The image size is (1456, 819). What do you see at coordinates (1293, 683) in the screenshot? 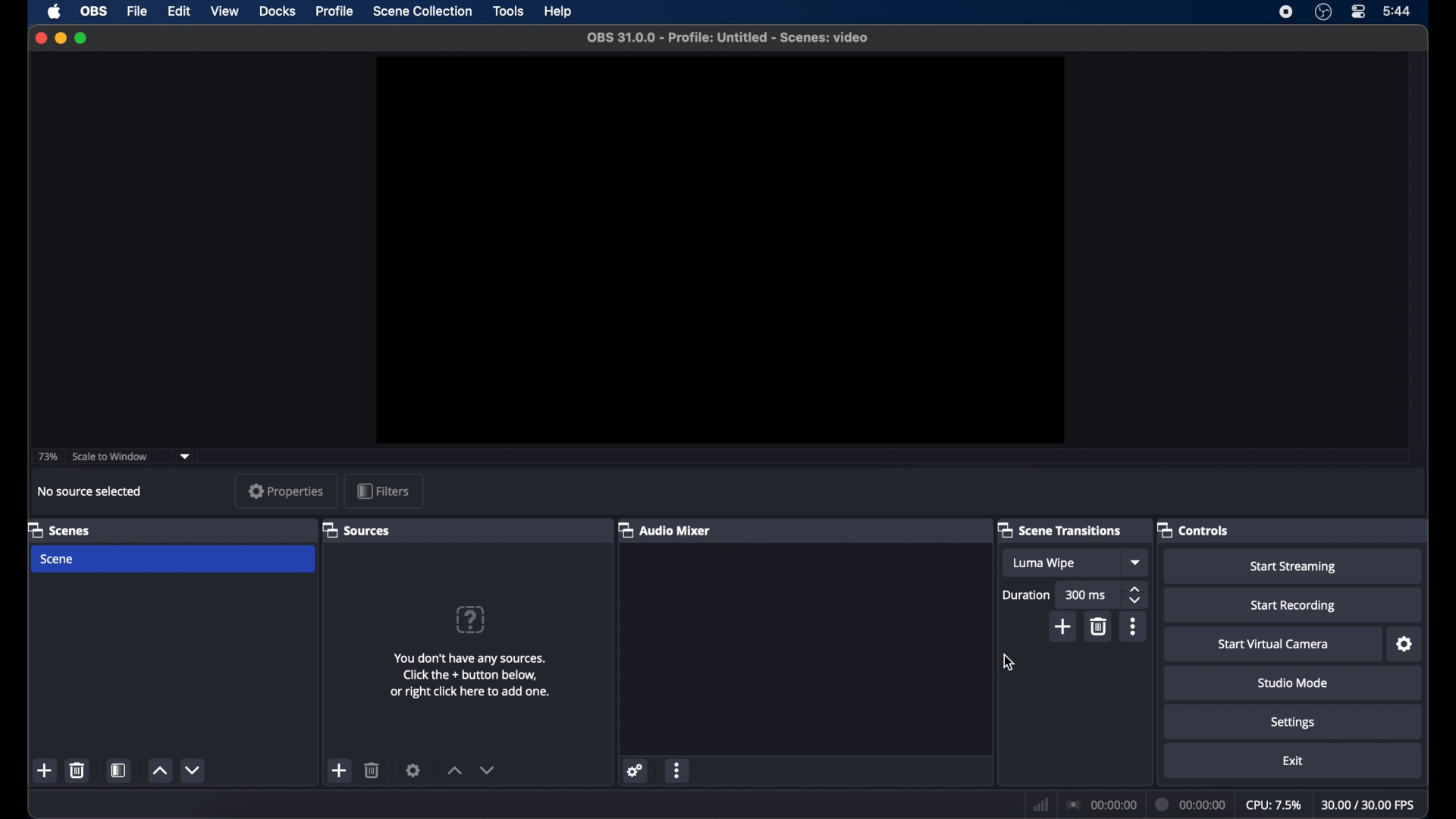
I see `studio mode` at bounding box center [1293, 683].